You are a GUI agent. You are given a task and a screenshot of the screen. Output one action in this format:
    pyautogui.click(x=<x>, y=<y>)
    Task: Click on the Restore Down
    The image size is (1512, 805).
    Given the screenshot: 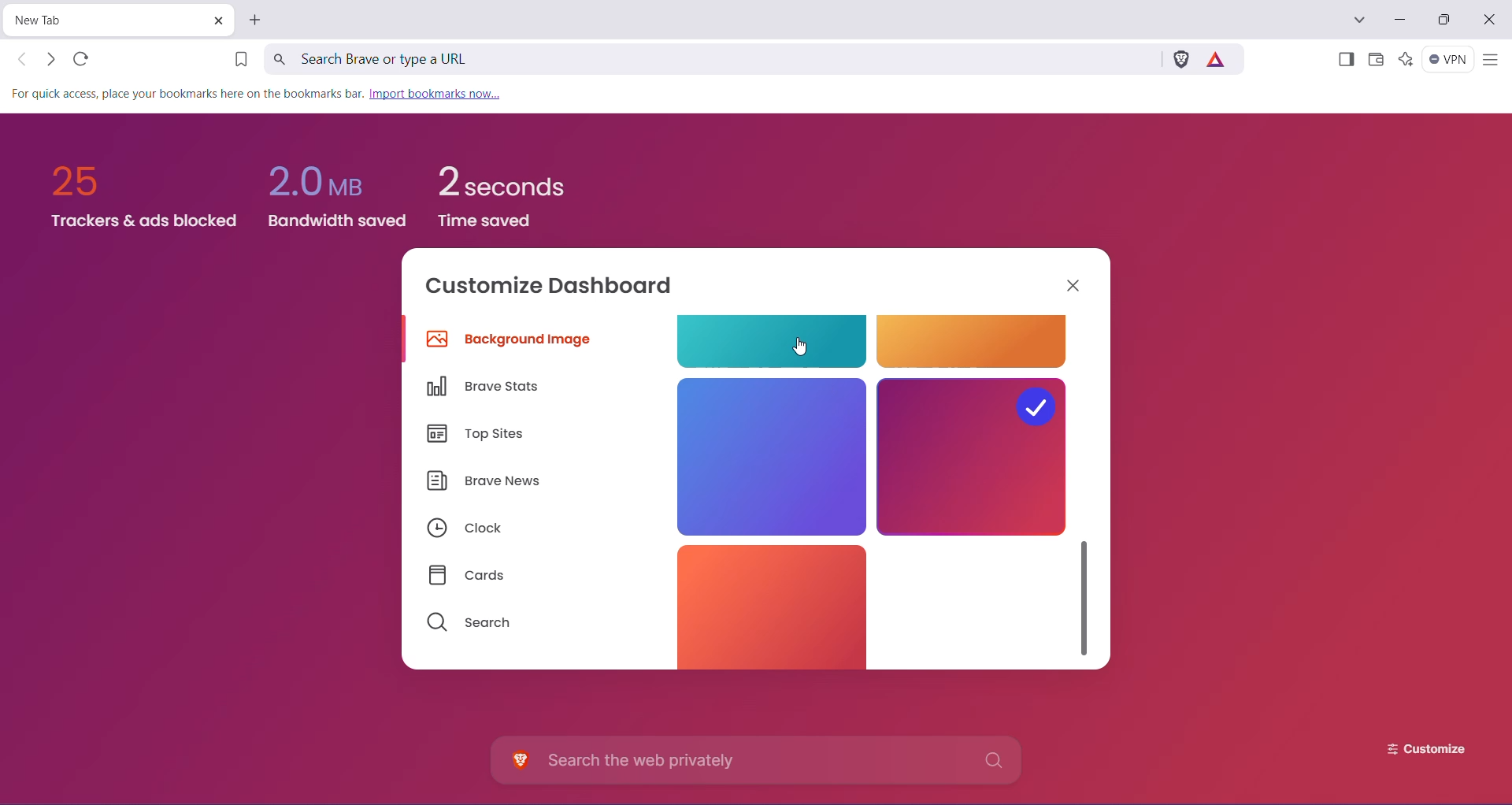 What is the action you would take?
    pyautogui.click(x=1447, y=20)
    